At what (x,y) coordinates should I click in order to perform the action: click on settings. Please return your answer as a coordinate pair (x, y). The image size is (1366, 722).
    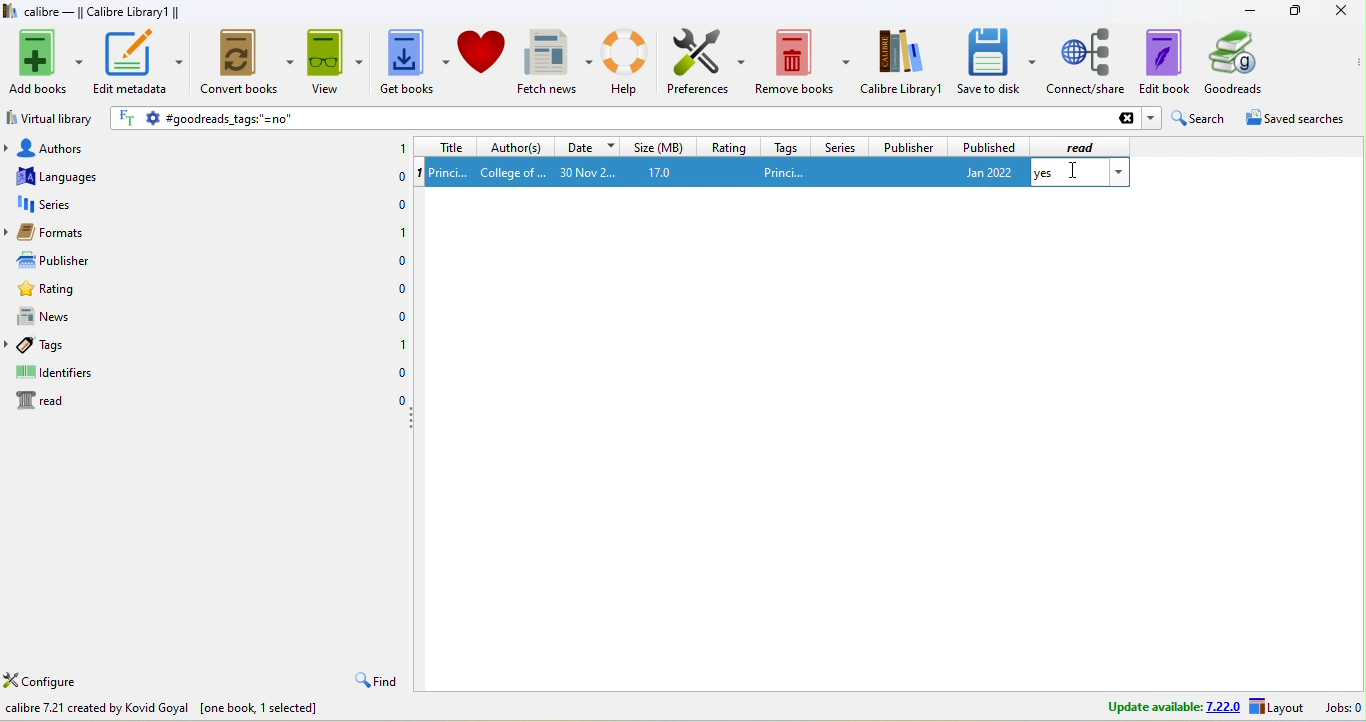
    Looking at the image, I should click on (152, 119).